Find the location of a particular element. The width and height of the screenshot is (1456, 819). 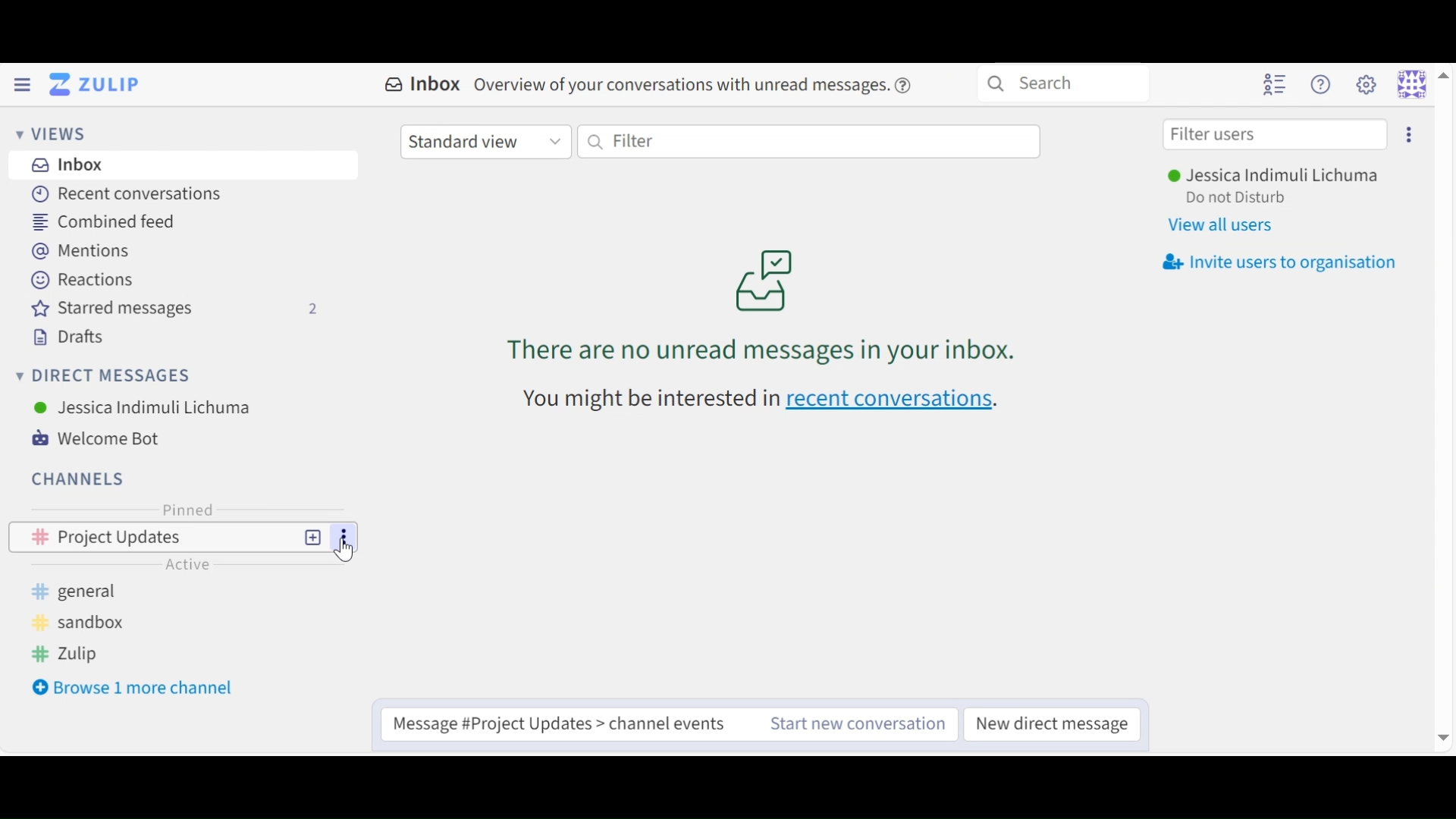

Invite users to organisation is located at coordinates (1407, 135).